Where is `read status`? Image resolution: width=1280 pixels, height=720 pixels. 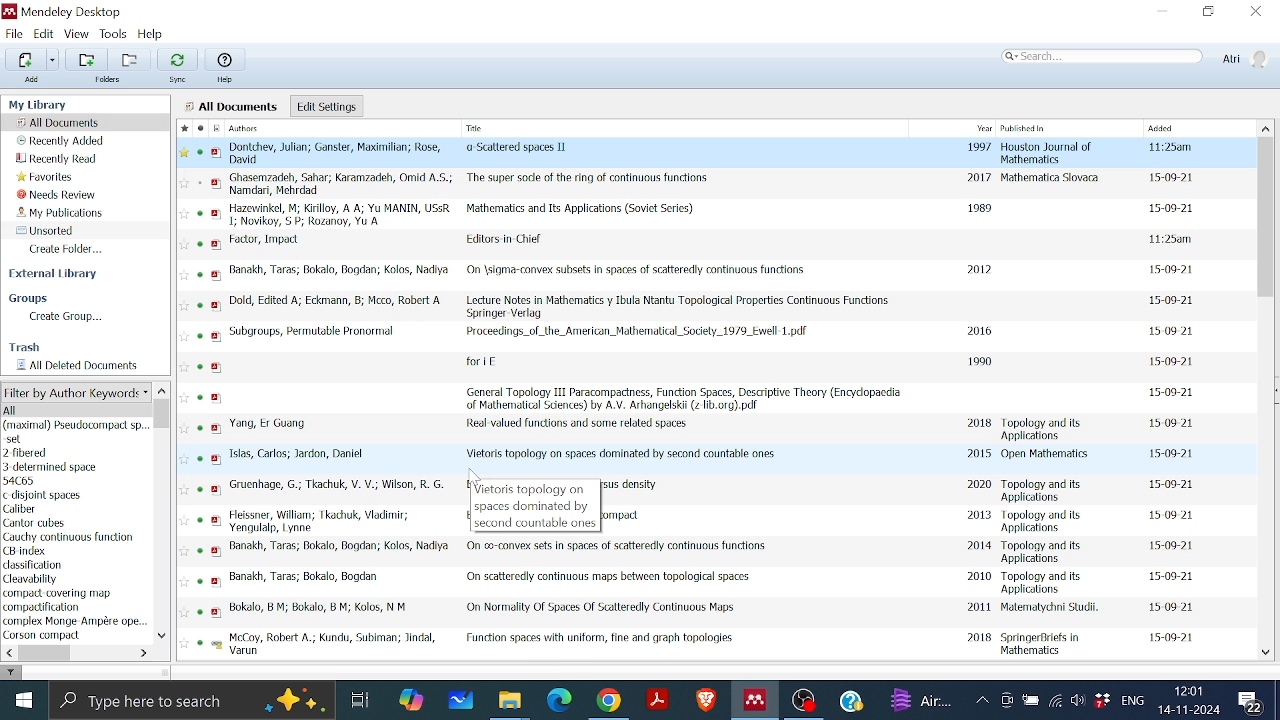 read status is located at coordinates (202, 246).